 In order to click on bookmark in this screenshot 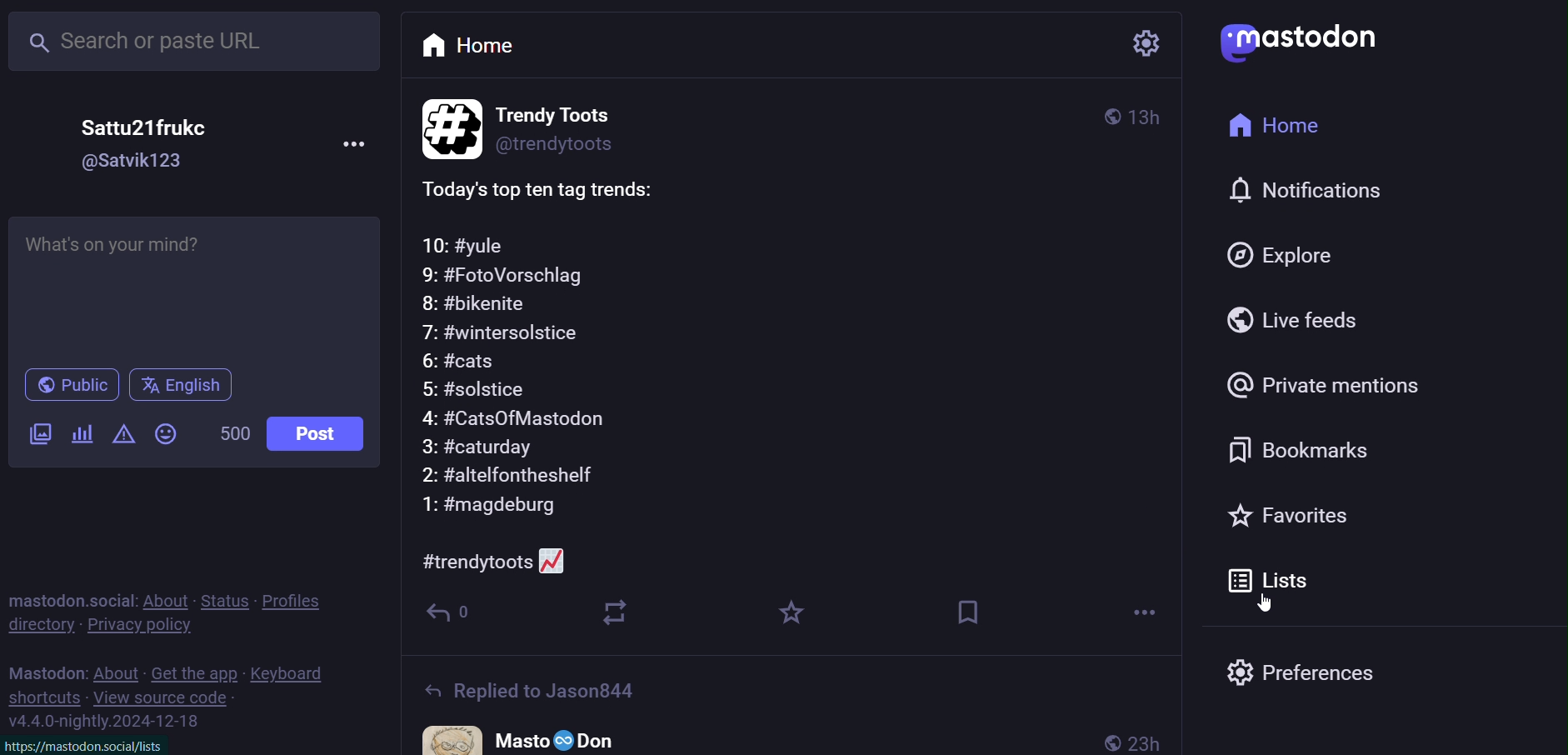, I will do `click(1307, 453)`.